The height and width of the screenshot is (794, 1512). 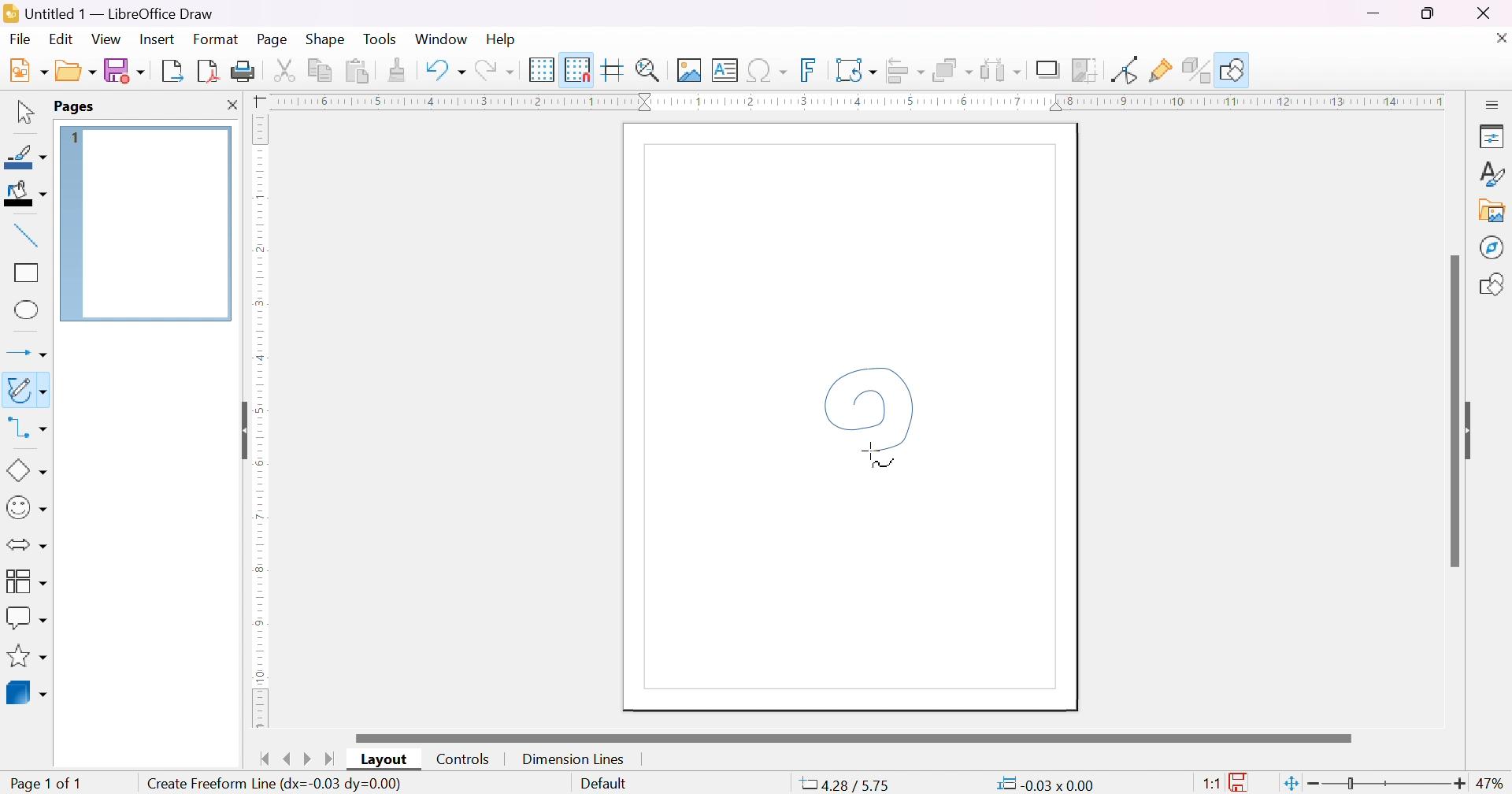 I want to click on slide master name. Right-click for list or click for dialog., so click(x=603, y=785).